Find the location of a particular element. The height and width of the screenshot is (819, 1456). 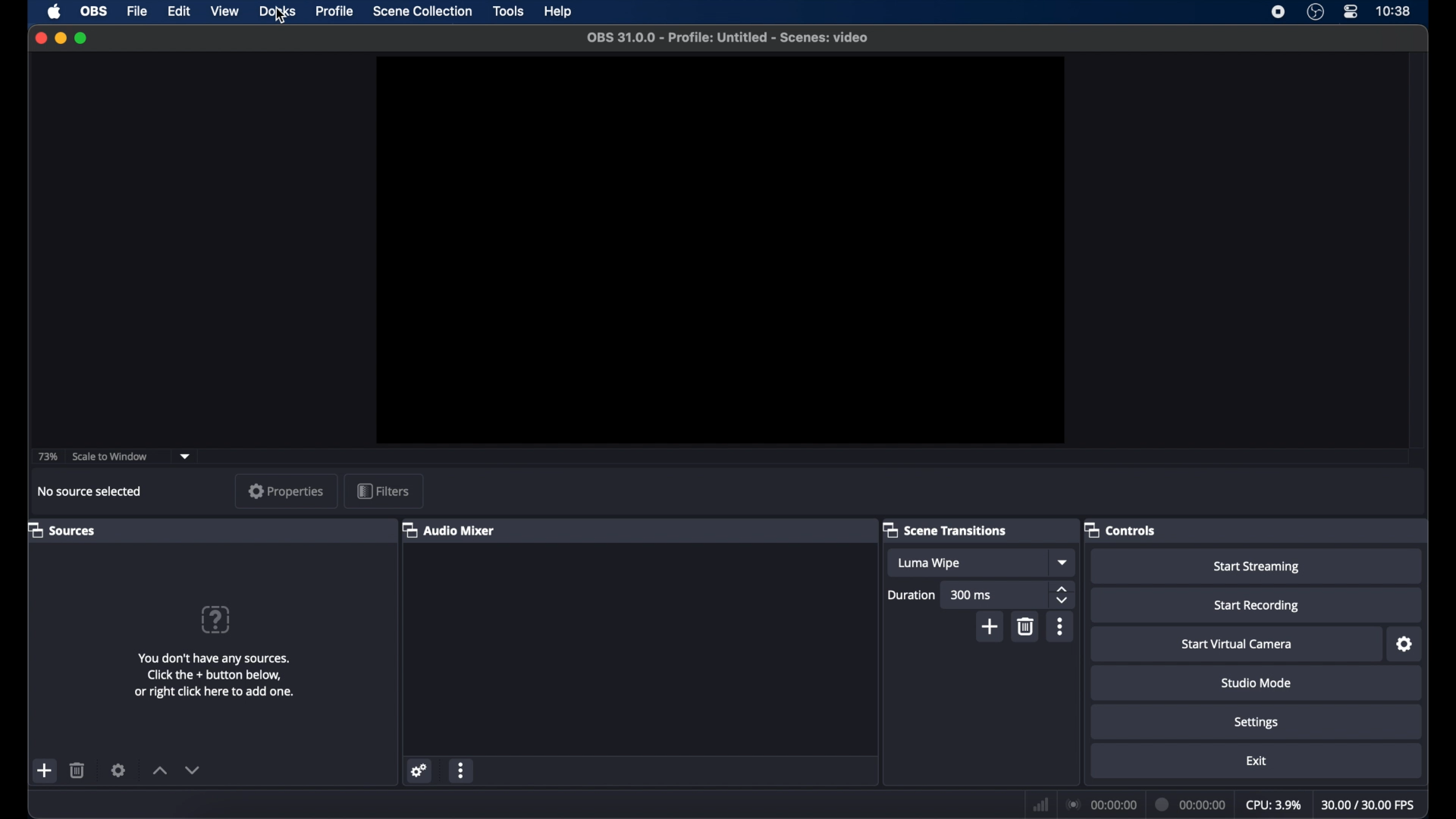

obs studio is located at coordinates (1315, 12).